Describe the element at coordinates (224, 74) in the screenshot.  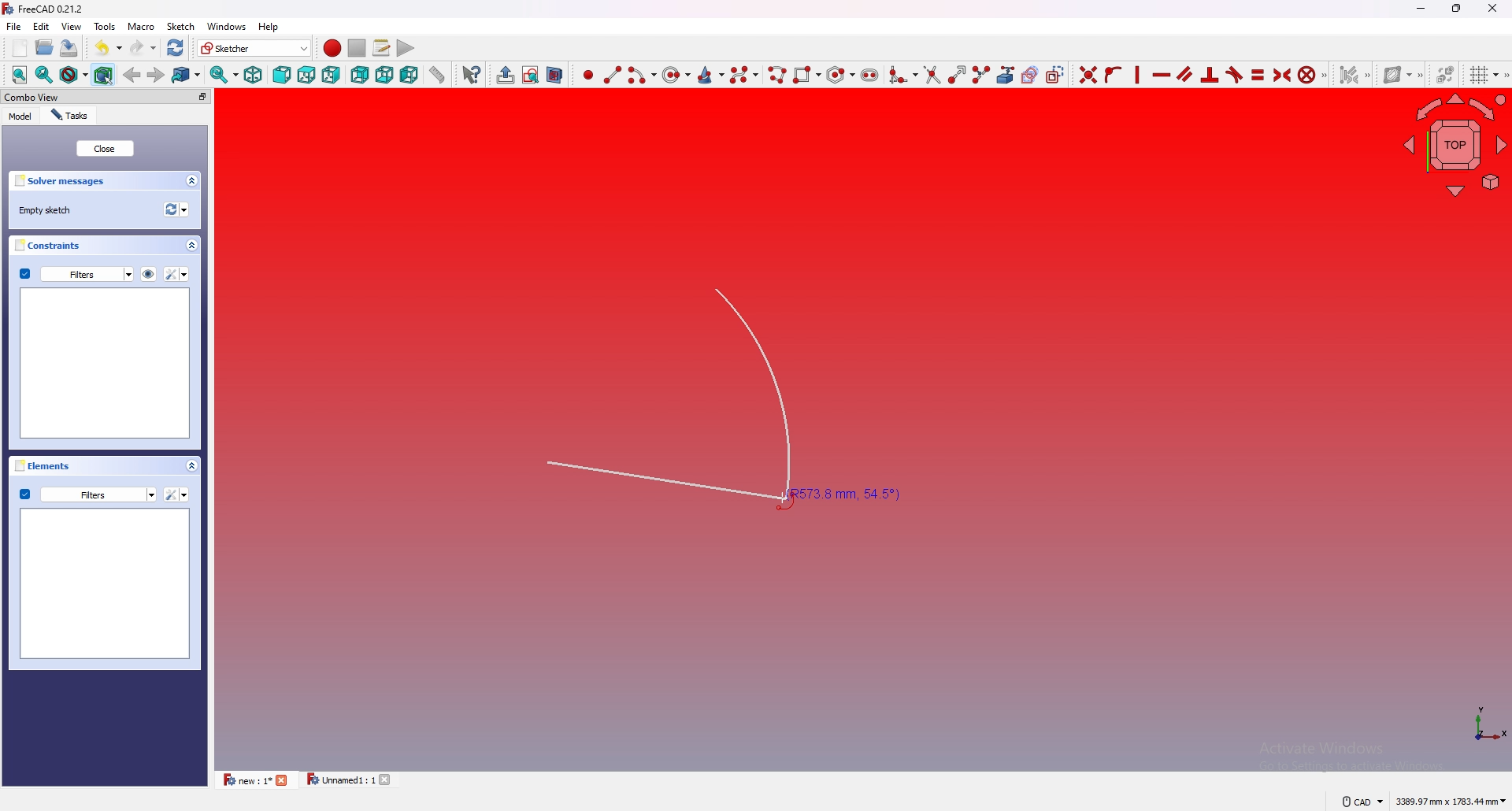
I see `synced view` at that location.